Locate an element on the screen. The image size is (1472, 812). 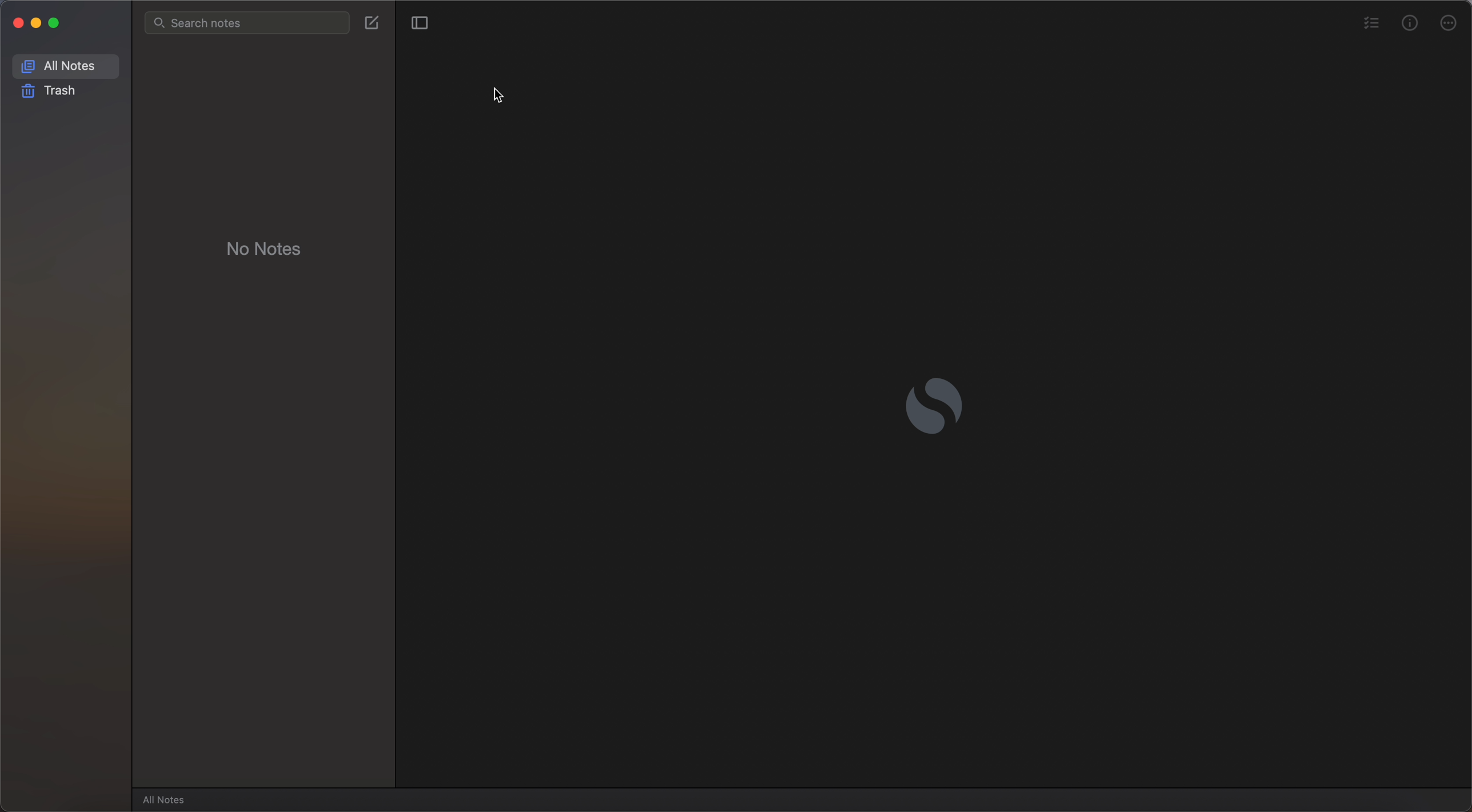
close Simplenote is located at coordinates (17, 22).